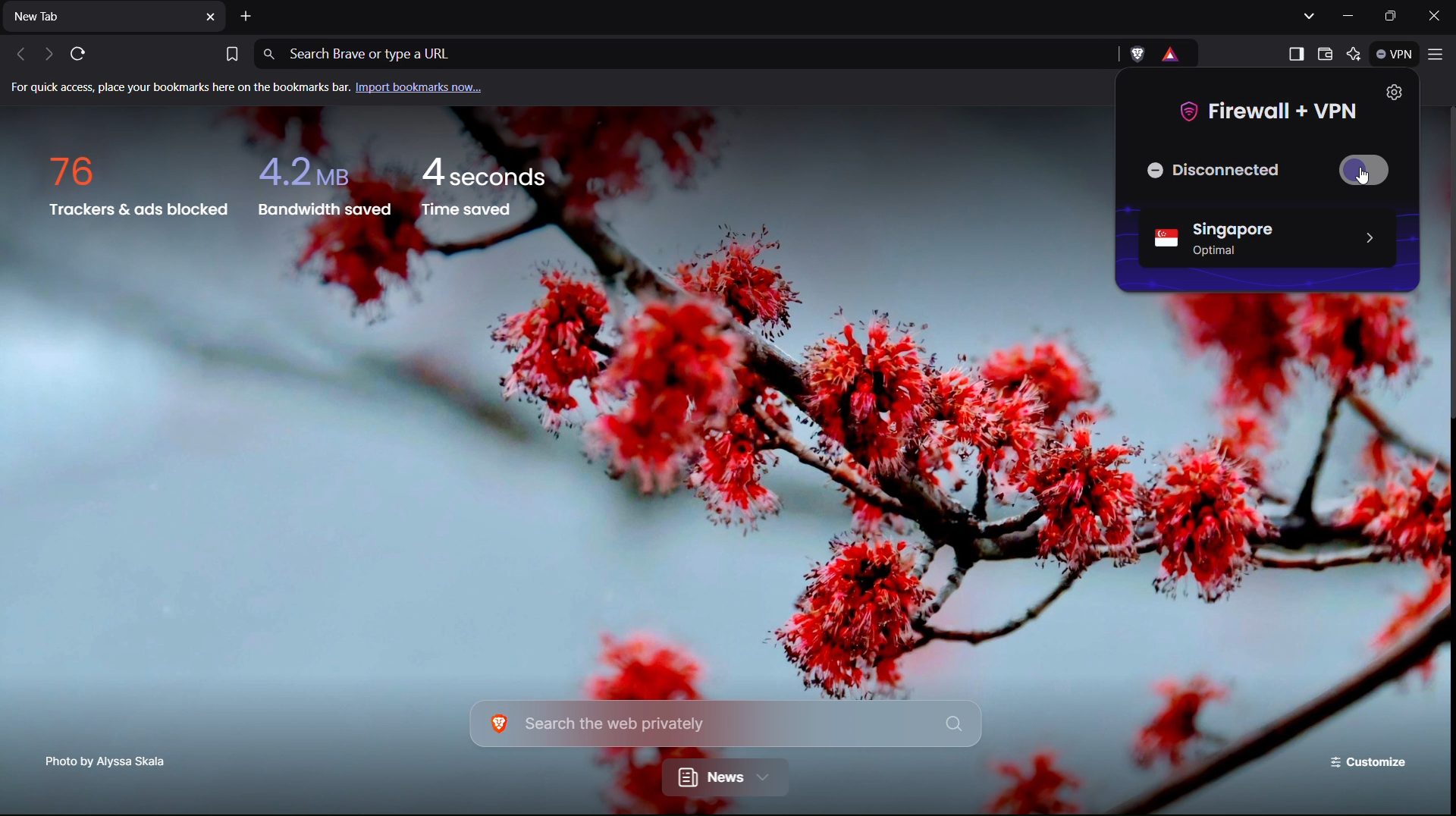 The image size is (1456, 816). What do you see at coordinates (140, 189) in the screenshot?
I see `Trackers and ads blocked` at bounding box center [140, 189].